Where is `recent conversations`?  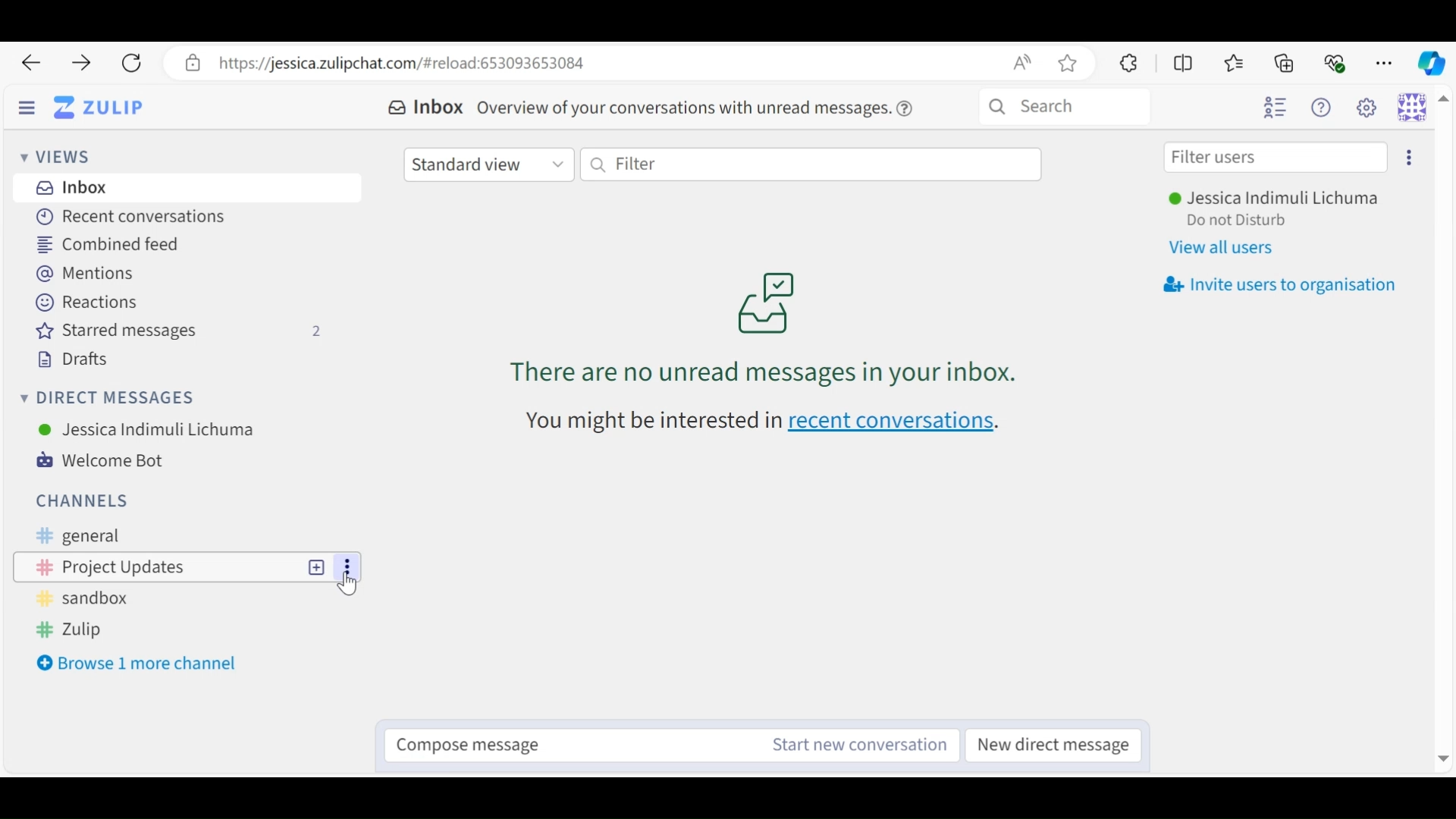
recent conversations is located at coordinates (772, 425).